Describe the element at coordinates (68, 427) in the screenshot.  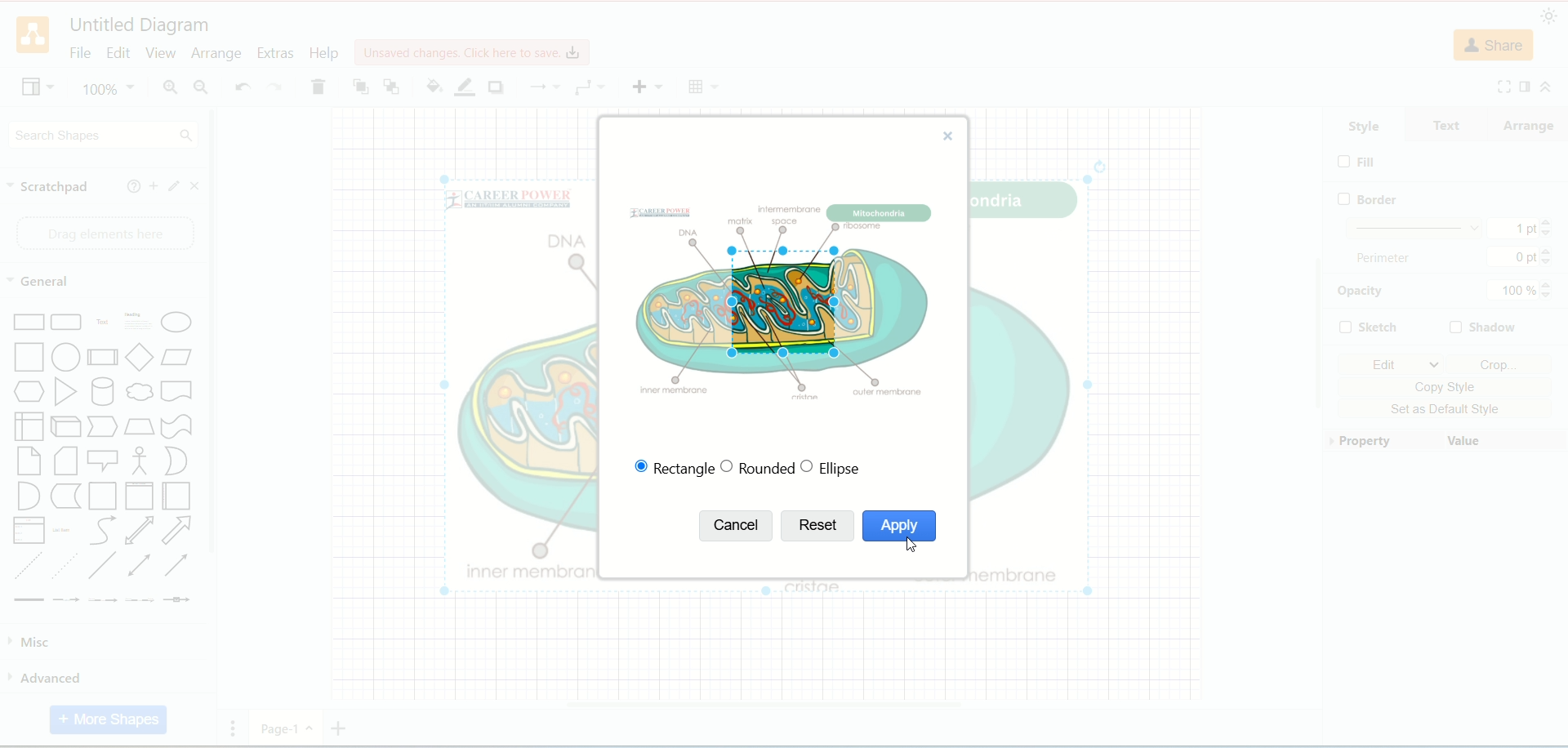
I see `Cube` at that location.